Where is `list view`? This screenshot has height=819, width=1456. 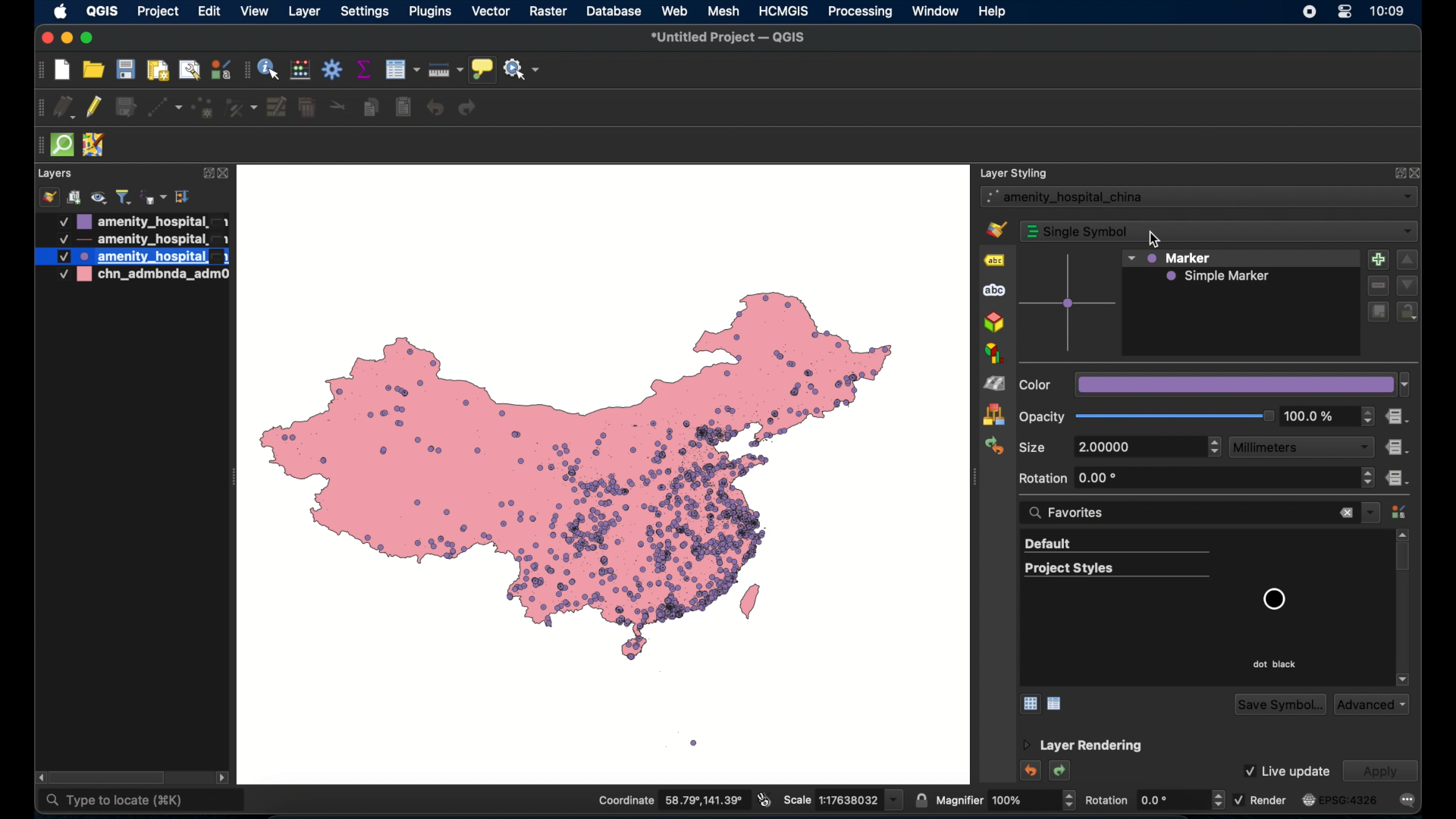 list view is located at coordinates (1057, 704).